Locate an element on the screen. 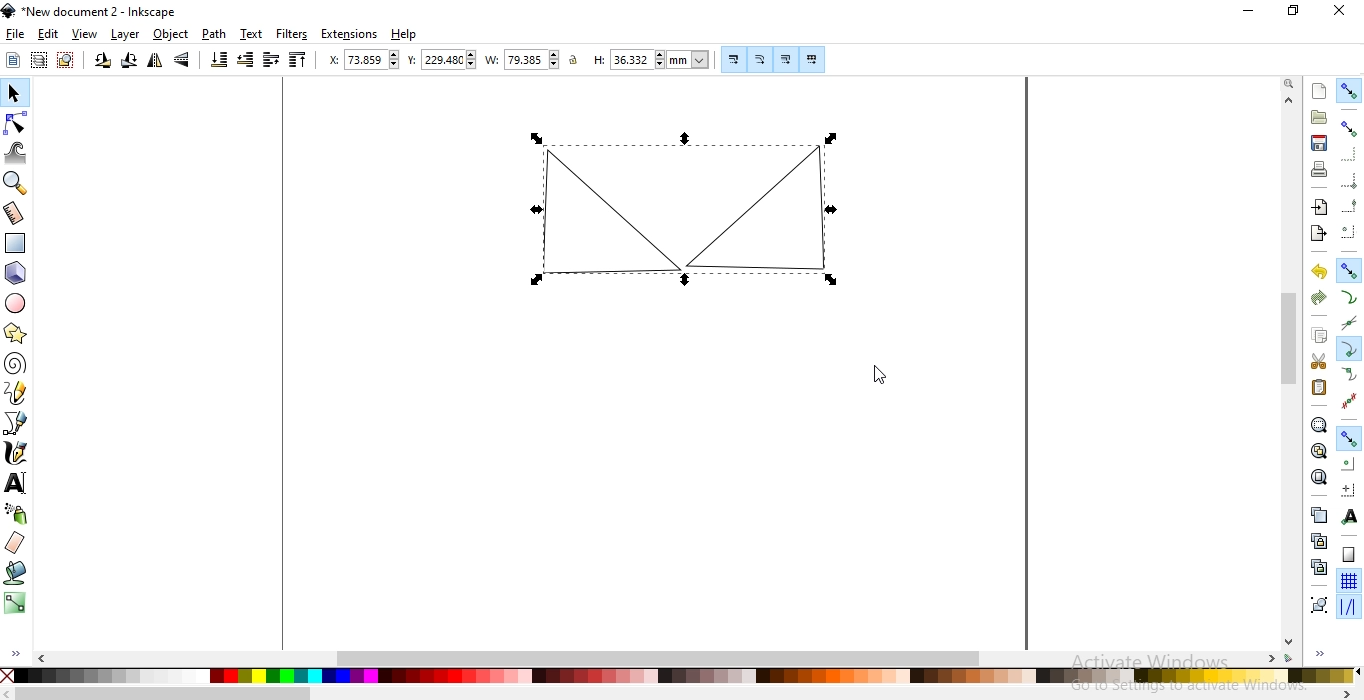 The width and height of the screenshot is (1364, 700). create stars and polygons is located at coordinates (16, 333).